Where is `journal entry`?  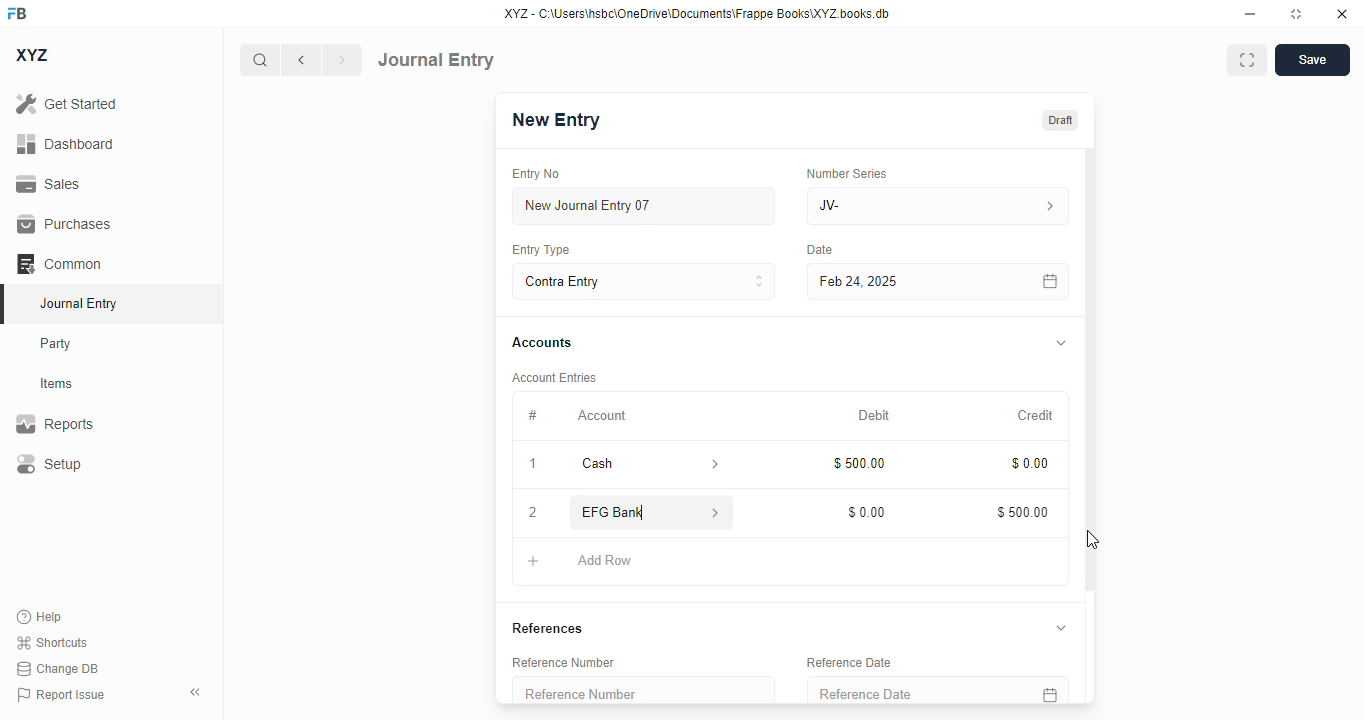
journal entry is located at coordinates (80, 303).